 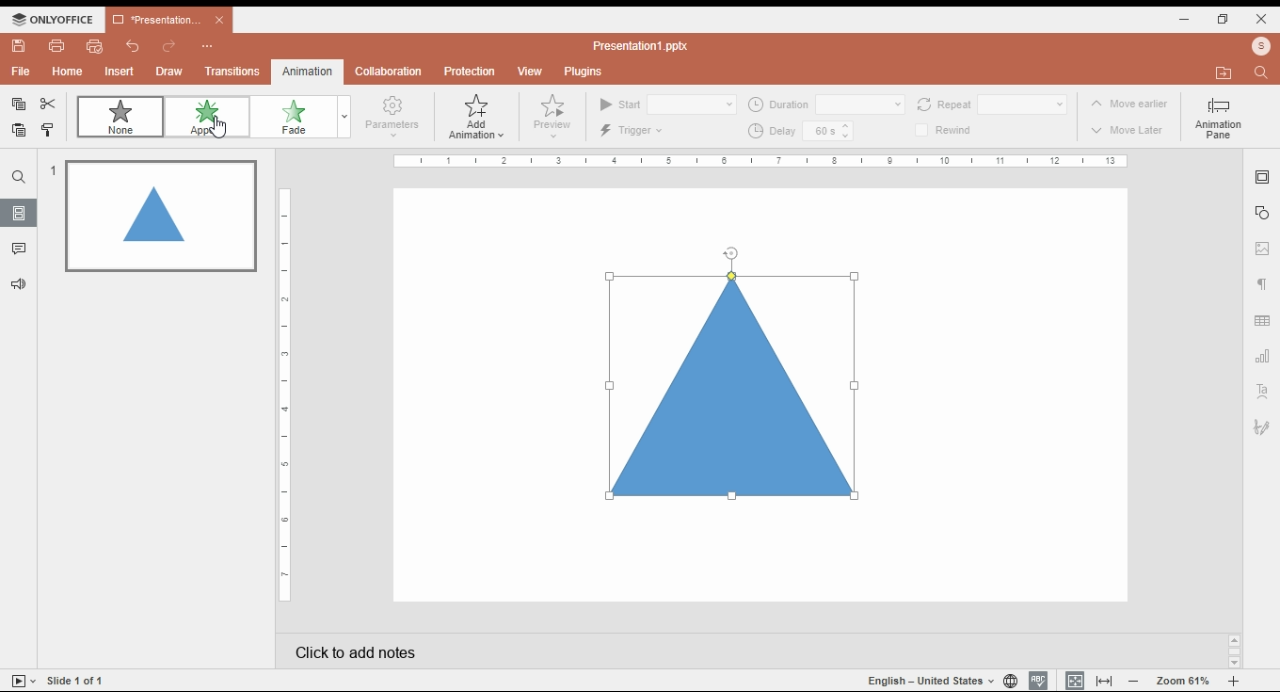 I want to click on selected shape, so click(x=736, y=386).